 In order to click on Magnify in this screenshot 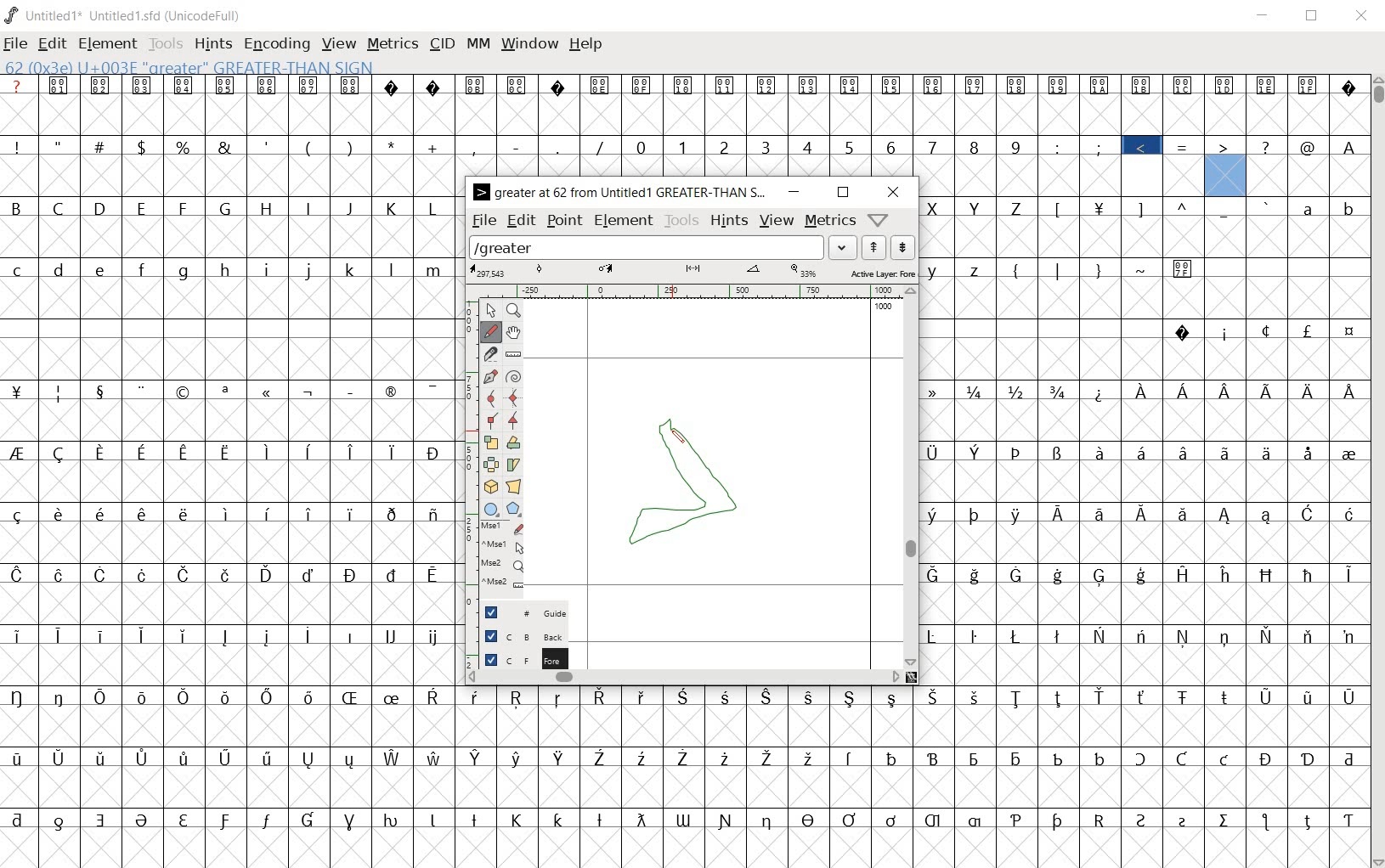, I will do `click(515, 312)`.